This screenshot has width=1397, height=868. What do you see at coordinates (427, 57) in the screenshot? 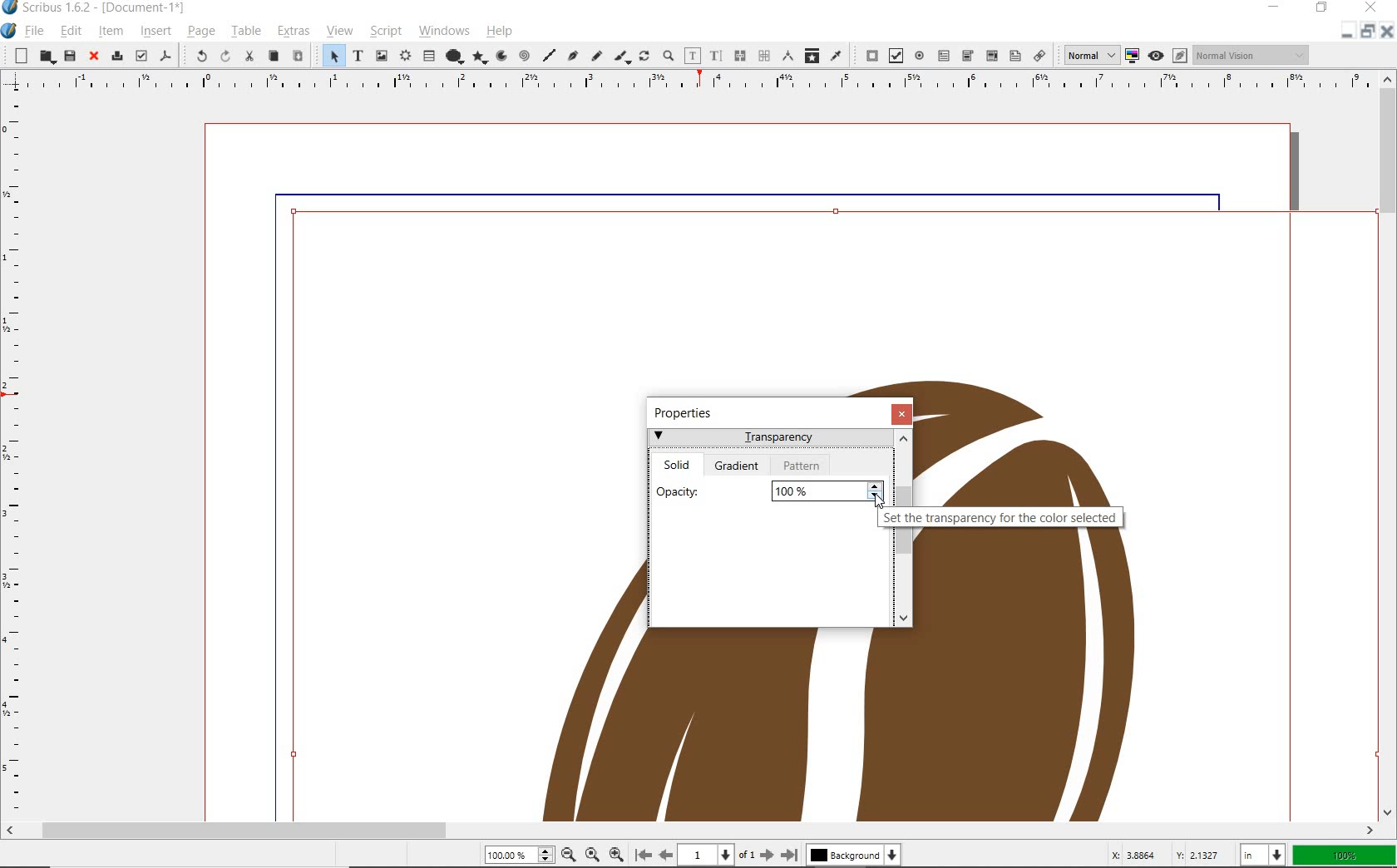
I see `table` at bounding box center [427, 57].